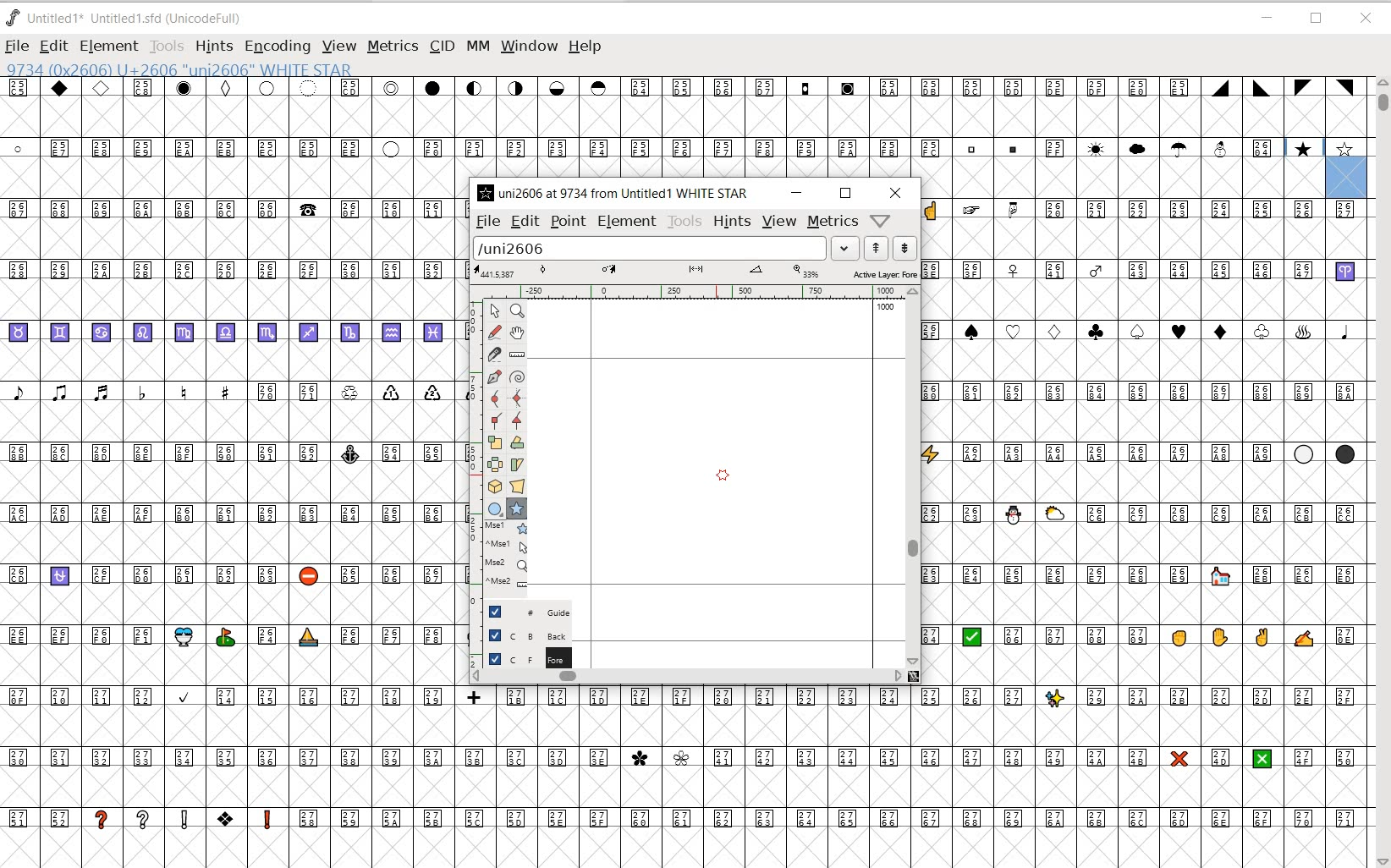 Image resolution: width=1391 pixels, height=868 pixels. Describe the element at coordinates (16, 47) in the screenshot. I see `FILE` at that location.